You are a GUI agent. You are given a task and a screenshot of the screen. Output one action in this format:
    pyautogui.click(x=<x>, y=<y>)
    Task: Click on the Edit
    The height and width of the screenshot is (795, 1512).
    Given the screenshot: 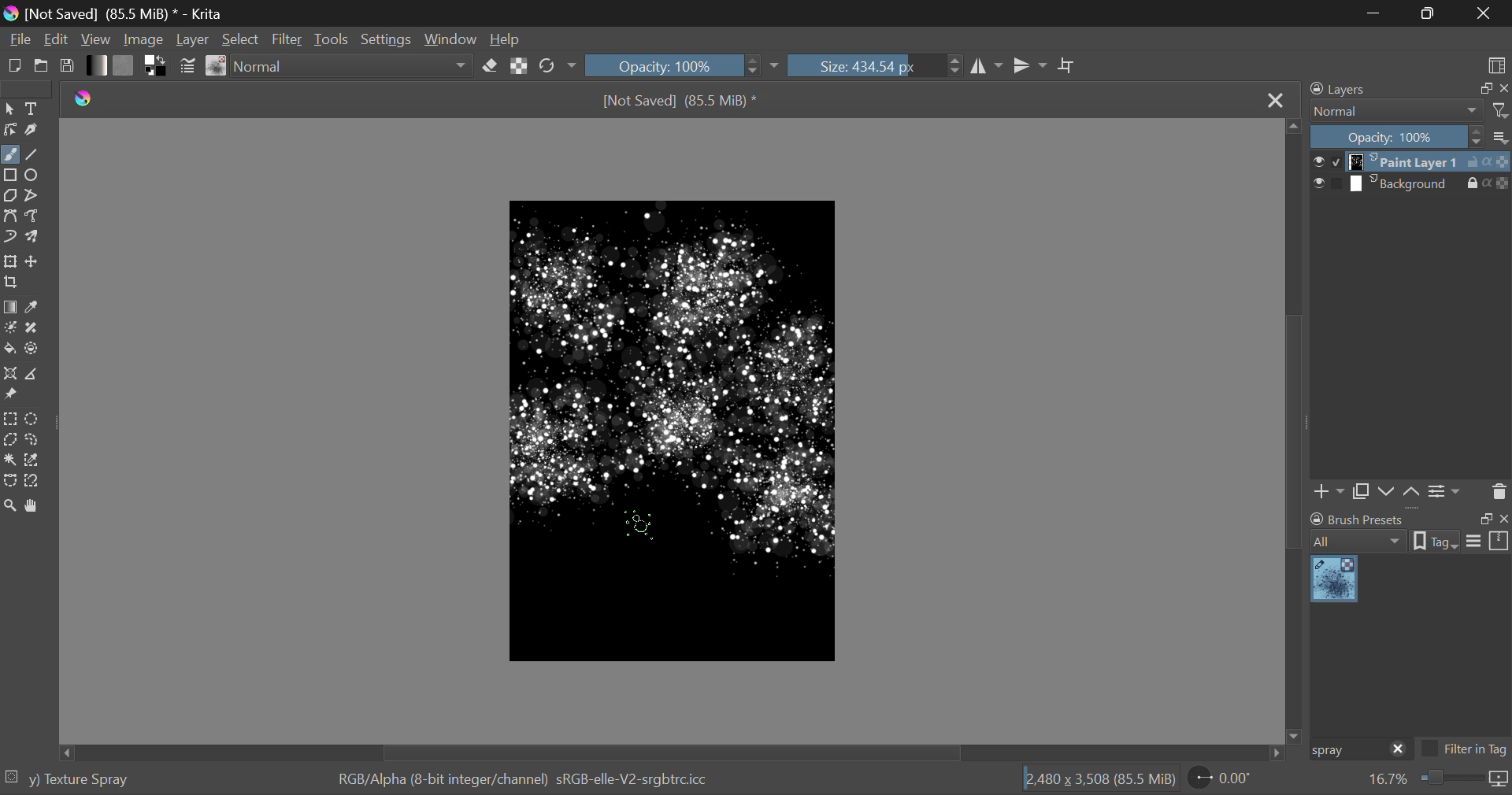 What is the action you would take?
    pyautogui.click(x=57, y=39)
    